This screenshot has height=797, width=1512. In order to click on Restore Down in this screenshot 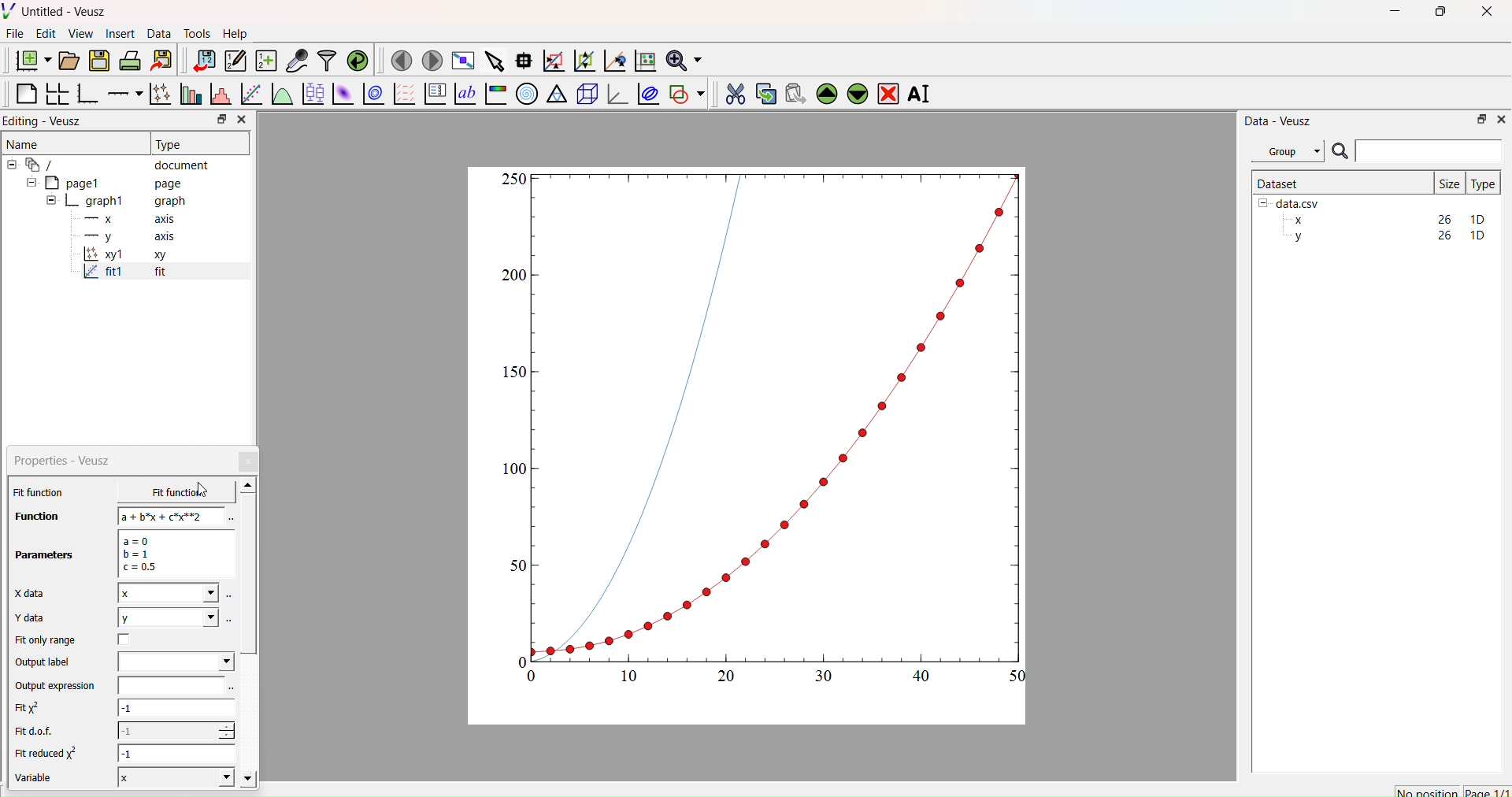, I will do `click(1477, 118)`.